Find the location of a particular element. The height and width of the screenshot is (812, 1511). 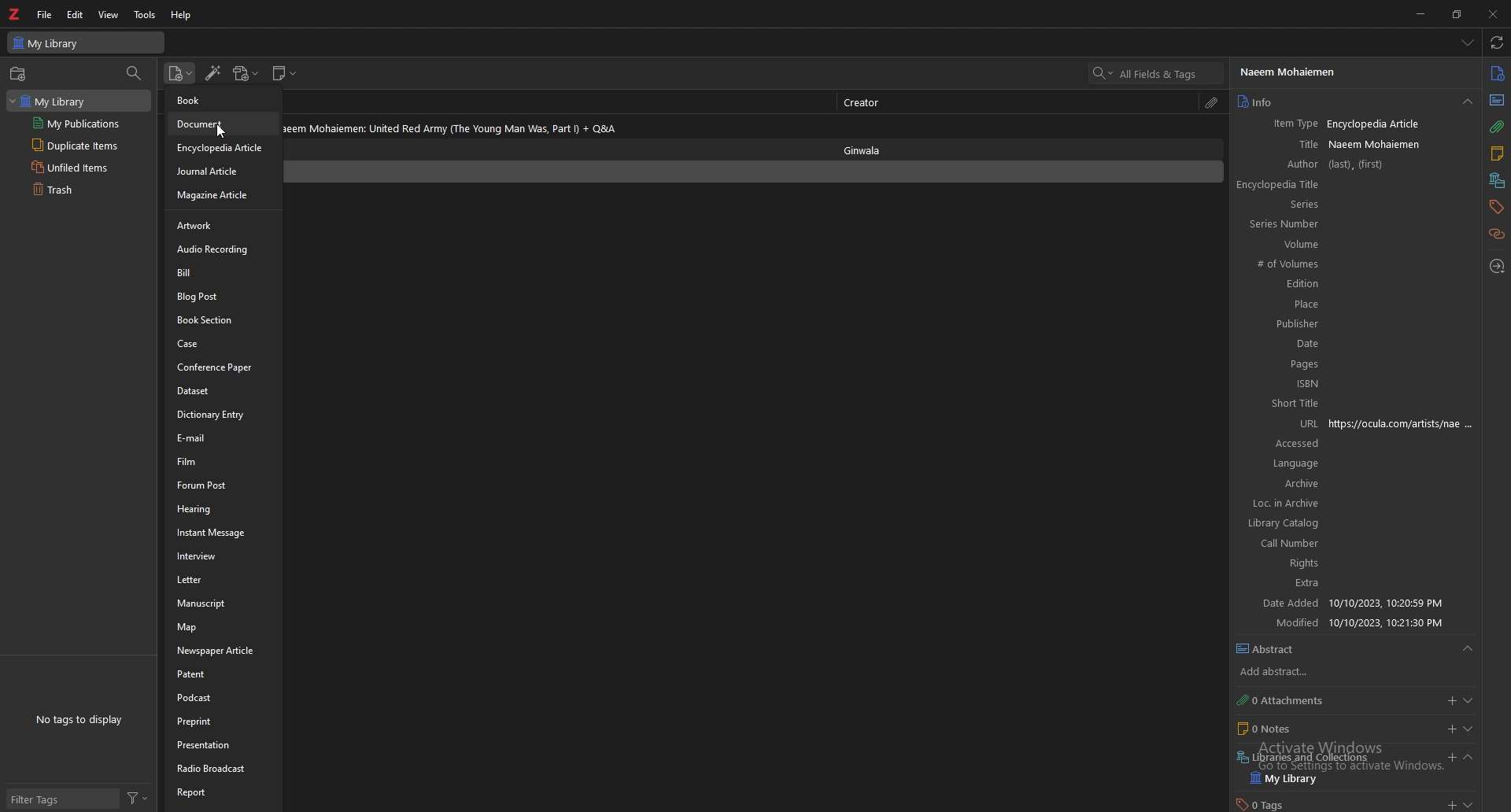

help is located at coordinates (183, 15).